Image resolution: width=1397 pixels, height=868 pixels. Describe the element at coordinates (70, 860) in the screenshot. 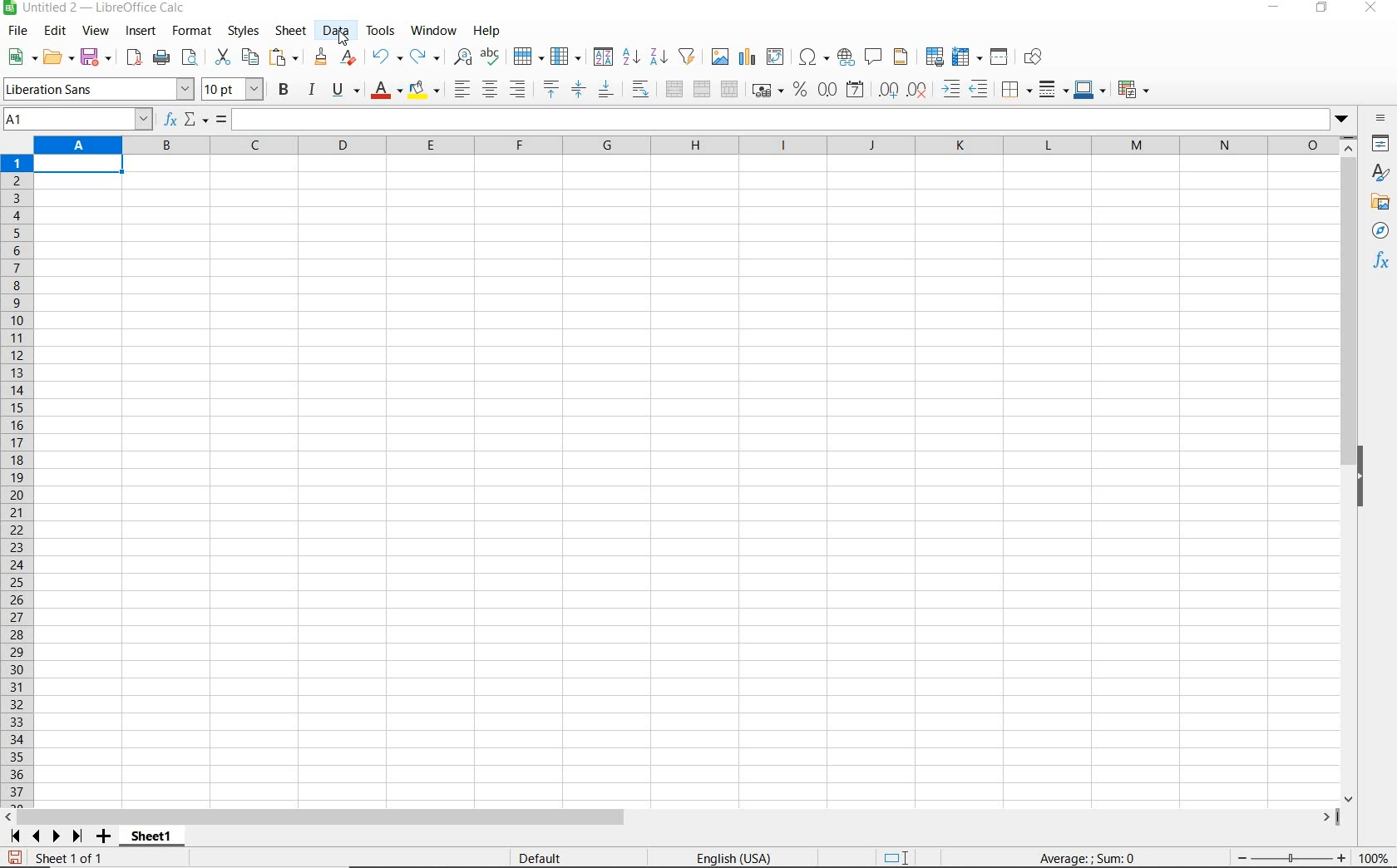

I see `sheet 1 of 1` at that location.